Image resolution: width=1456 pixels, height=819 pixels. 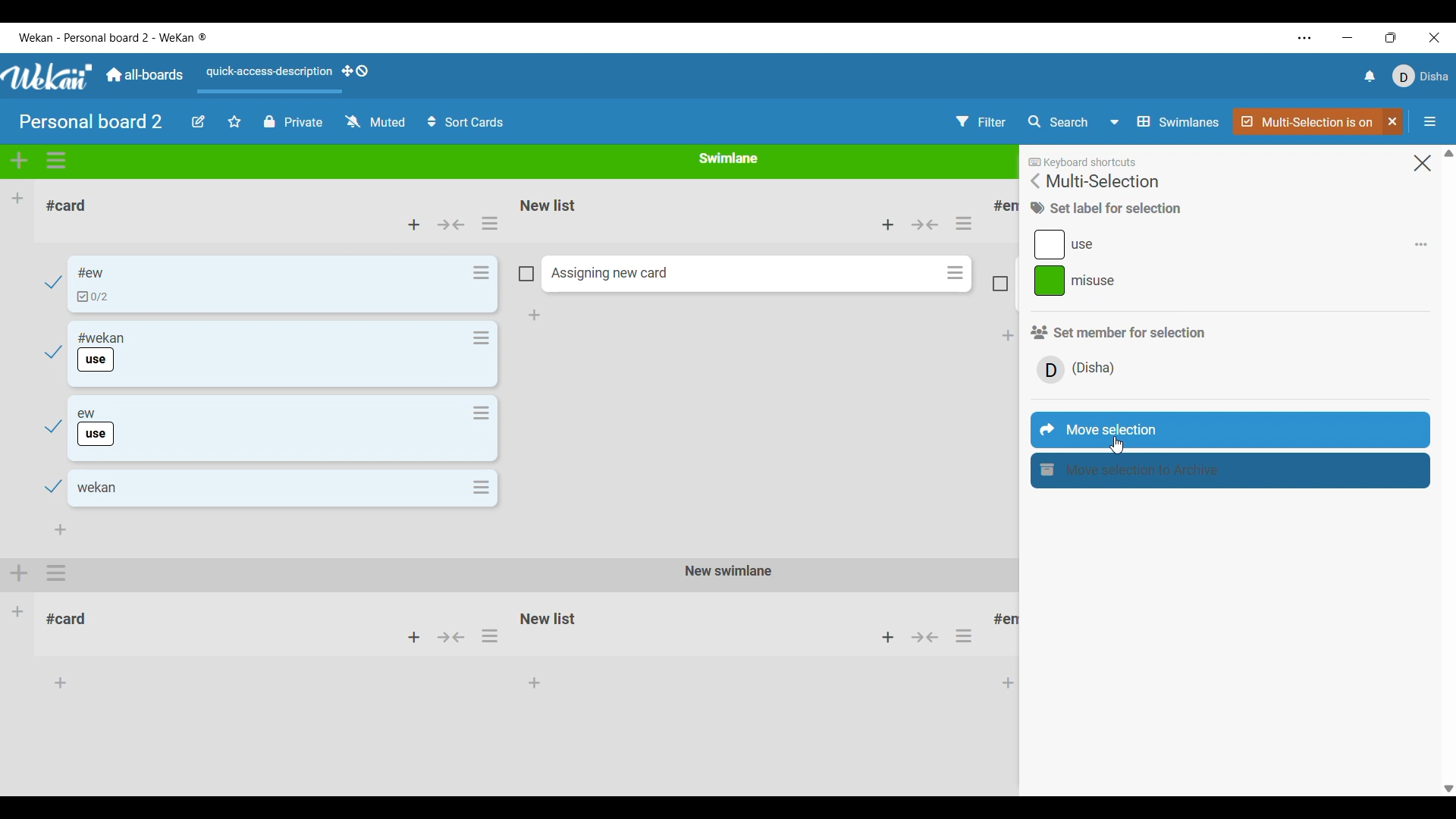 What do you see at coordinates (49, 383) in the screenshot?
I see `Checkmarks indicate cards have been selected` at bounding box center [49, 383].